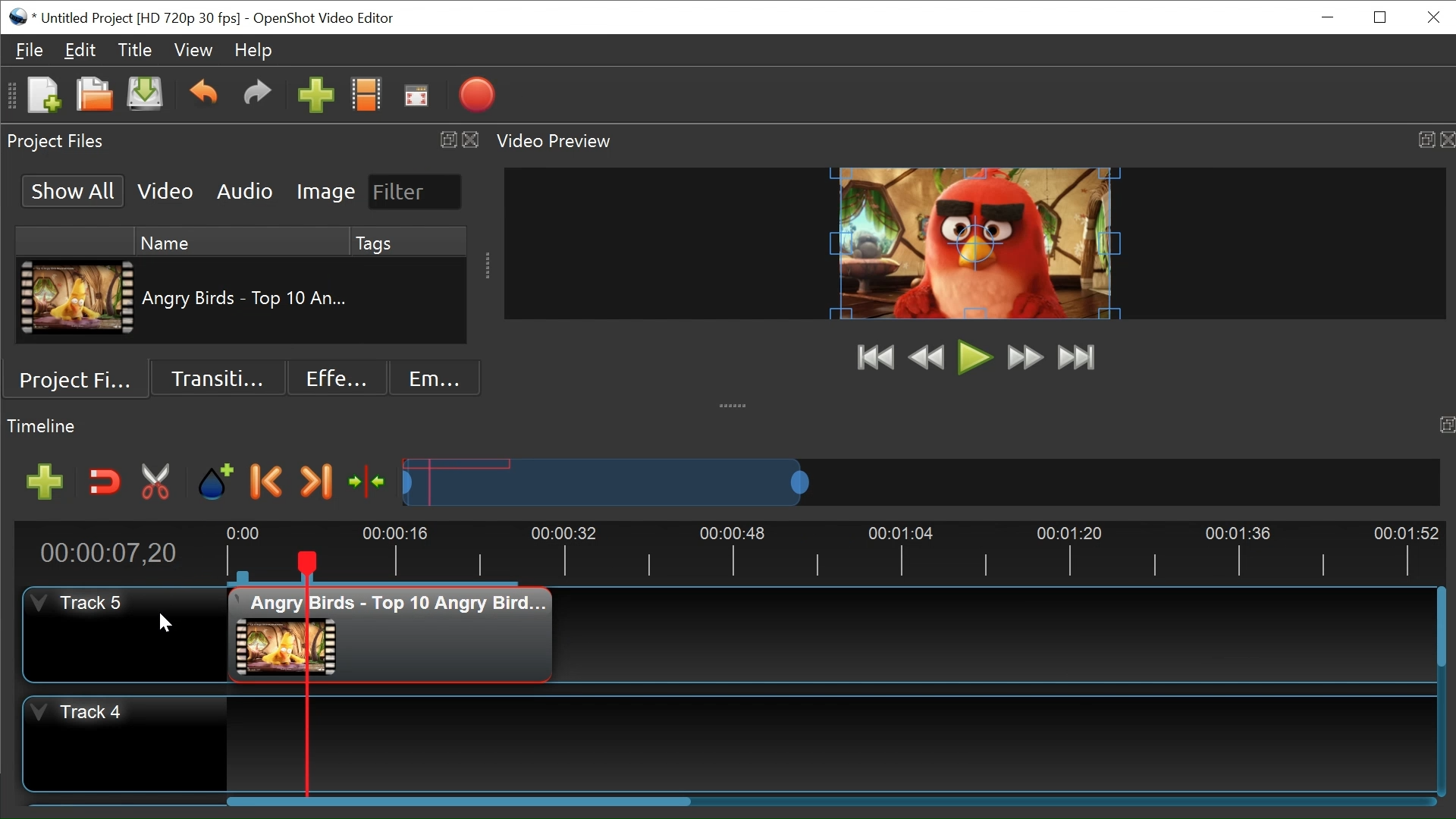 The width and height of the screenshot is (1456, 819). Describe the element at coordinates (418, 96) in the screenshot. I see `Fullscreen` at that location.